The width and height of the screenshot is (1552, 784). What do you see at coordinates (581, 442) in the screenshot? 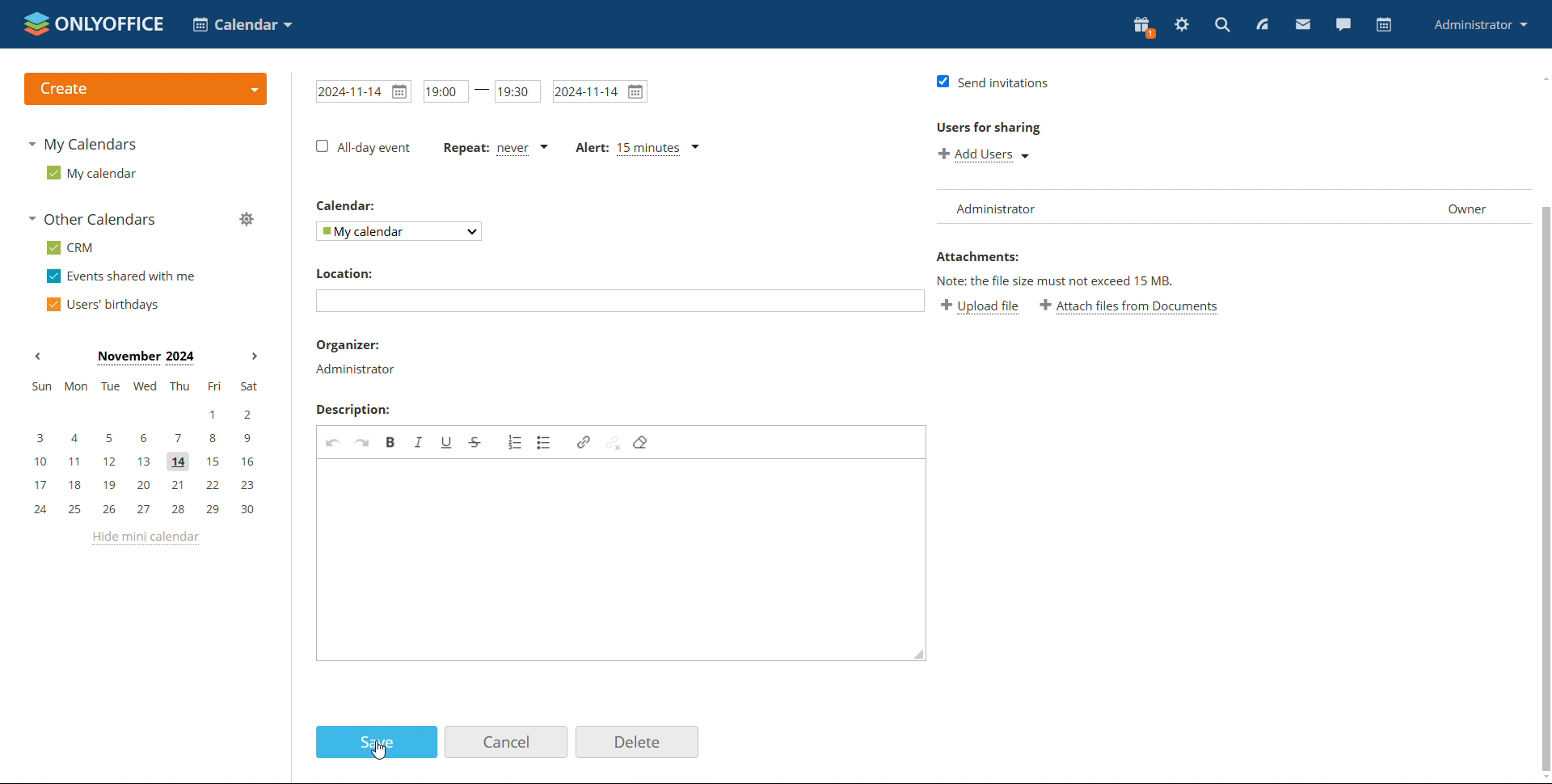
I see `link` at bounding box center [581, 442].